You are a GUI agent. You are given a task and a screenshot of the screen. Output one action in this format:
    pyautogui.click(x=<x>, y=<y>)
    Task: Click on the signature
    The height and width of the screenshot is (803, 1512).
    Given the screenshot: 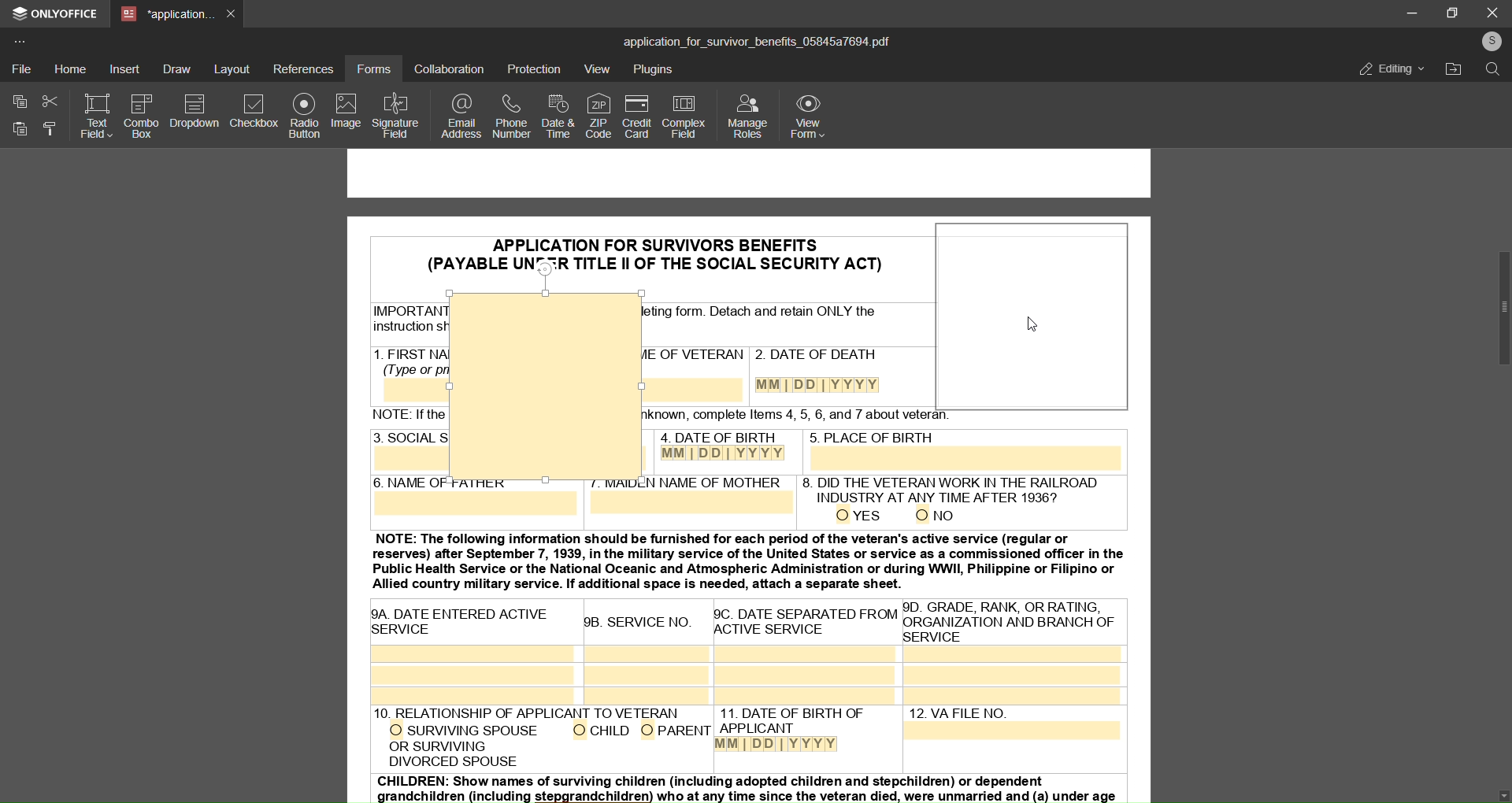 What is the action you would take?
    pyautogui.click(x=400, y=108)
    